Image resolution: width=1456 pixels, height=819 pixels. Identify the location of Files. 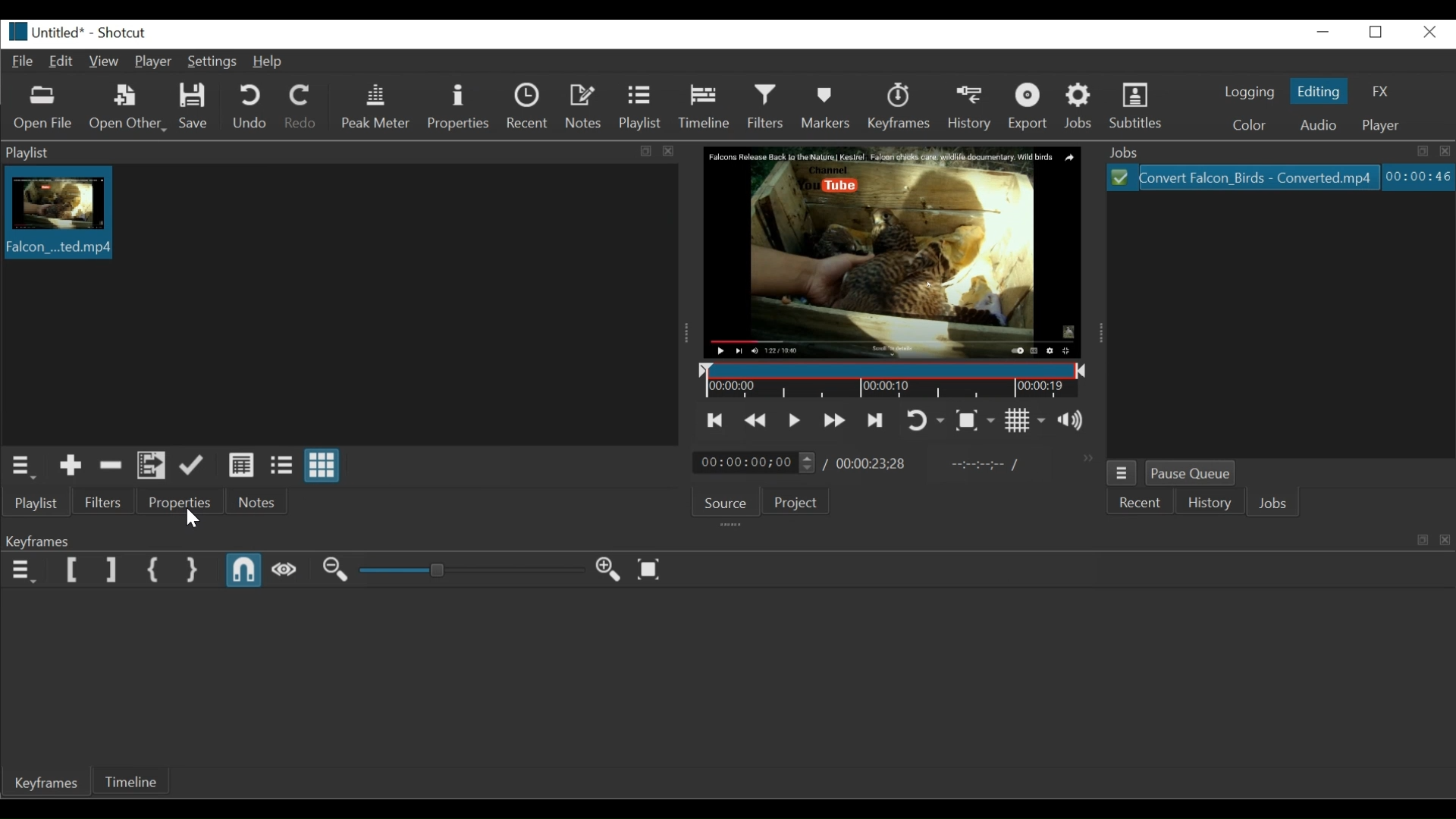
(1241, 178).